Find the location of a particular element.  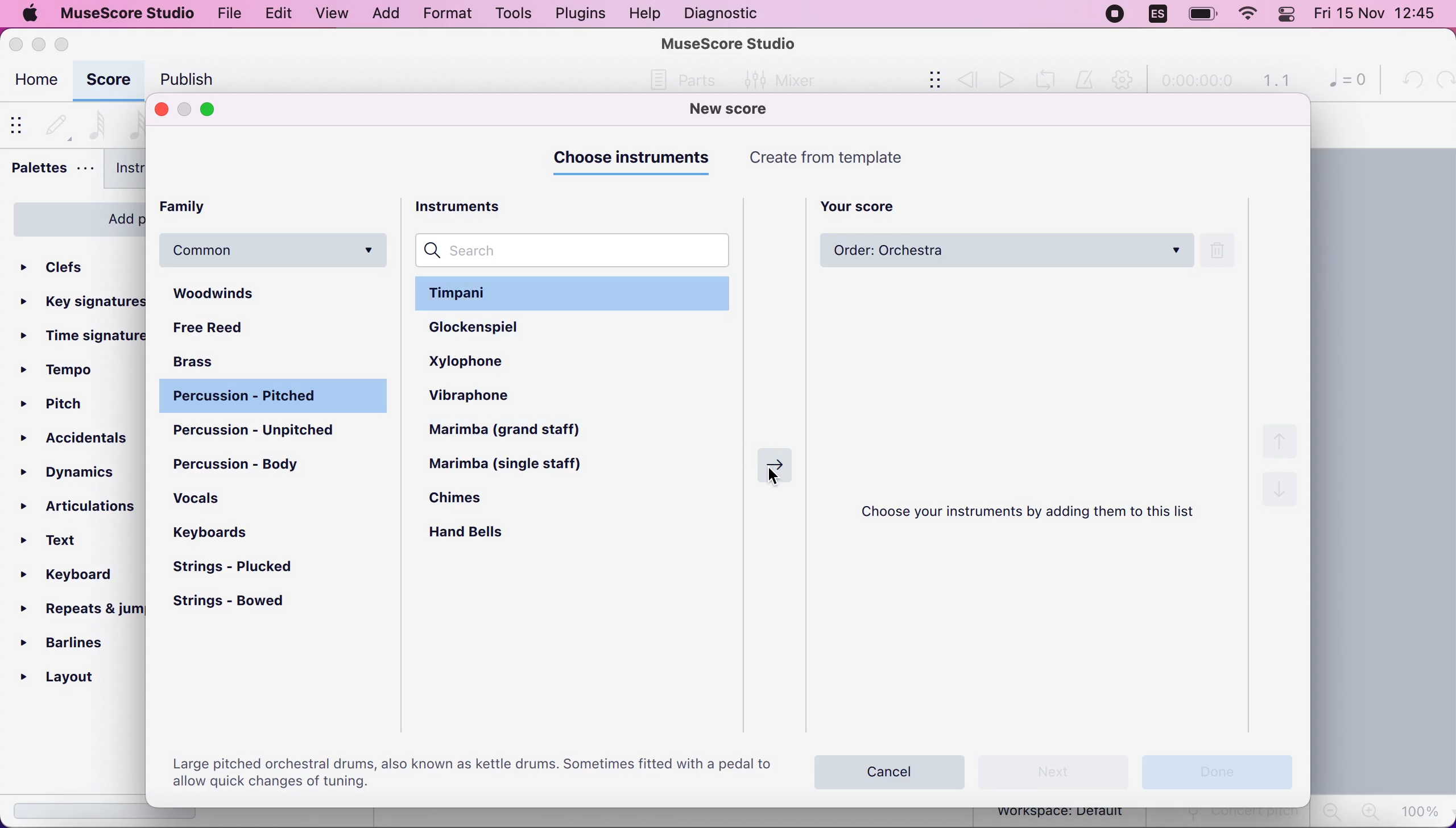

glockenspiel is located at coordinates (499, 328).